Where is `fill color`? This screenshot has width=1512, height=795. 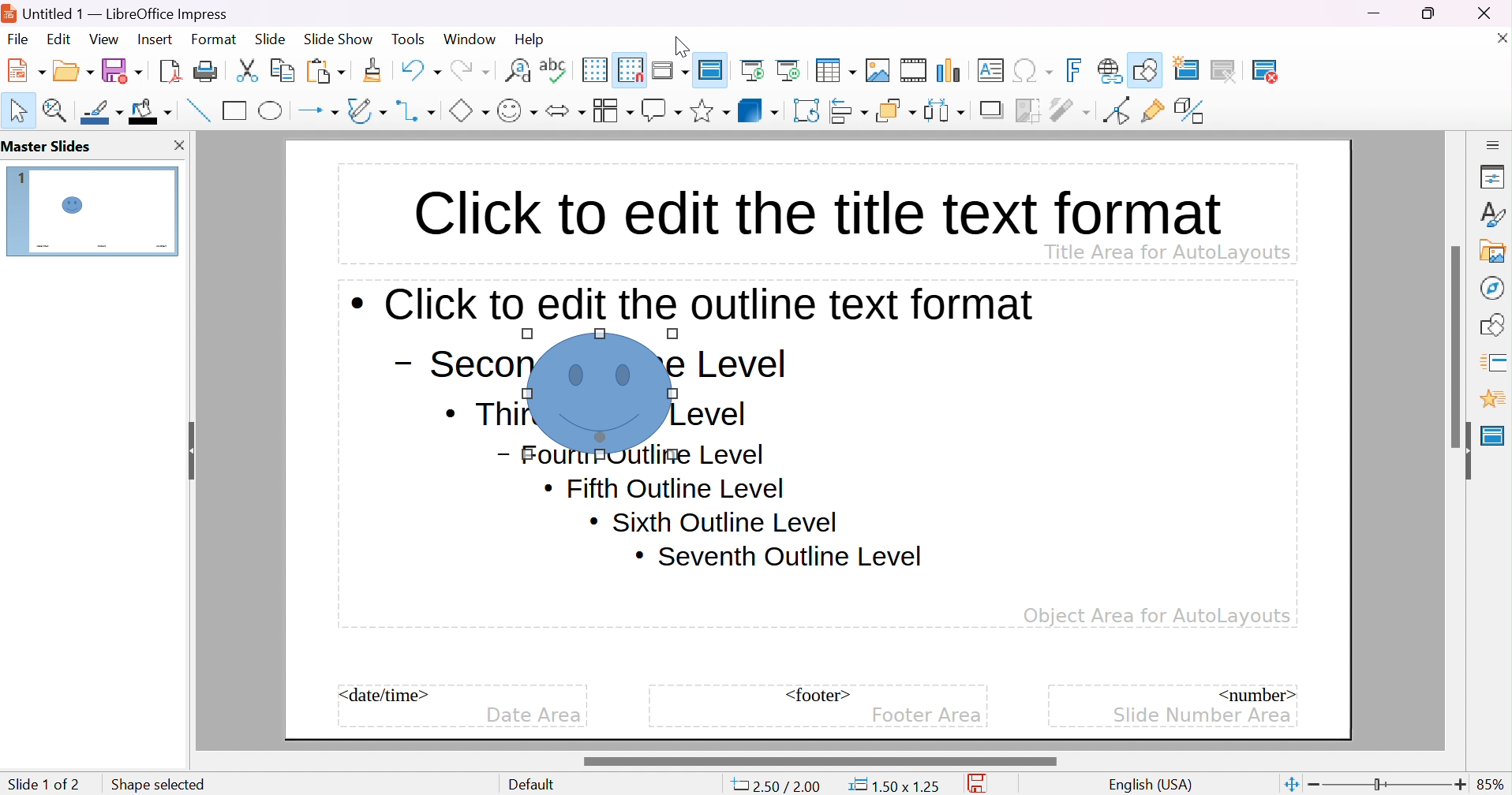
fill color is located at coordinates (151, 110).